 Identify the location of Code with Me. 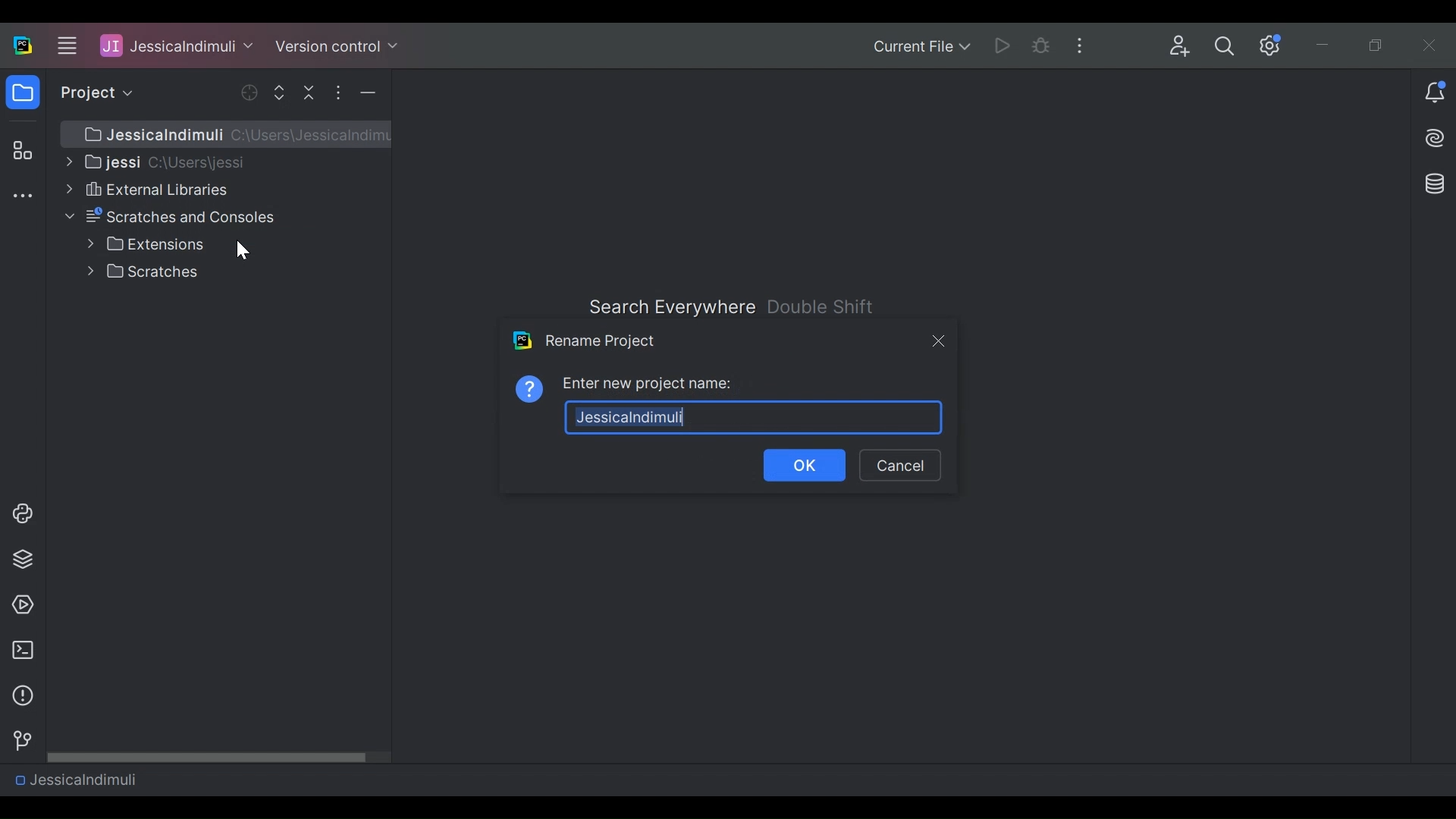
(1180, 46).